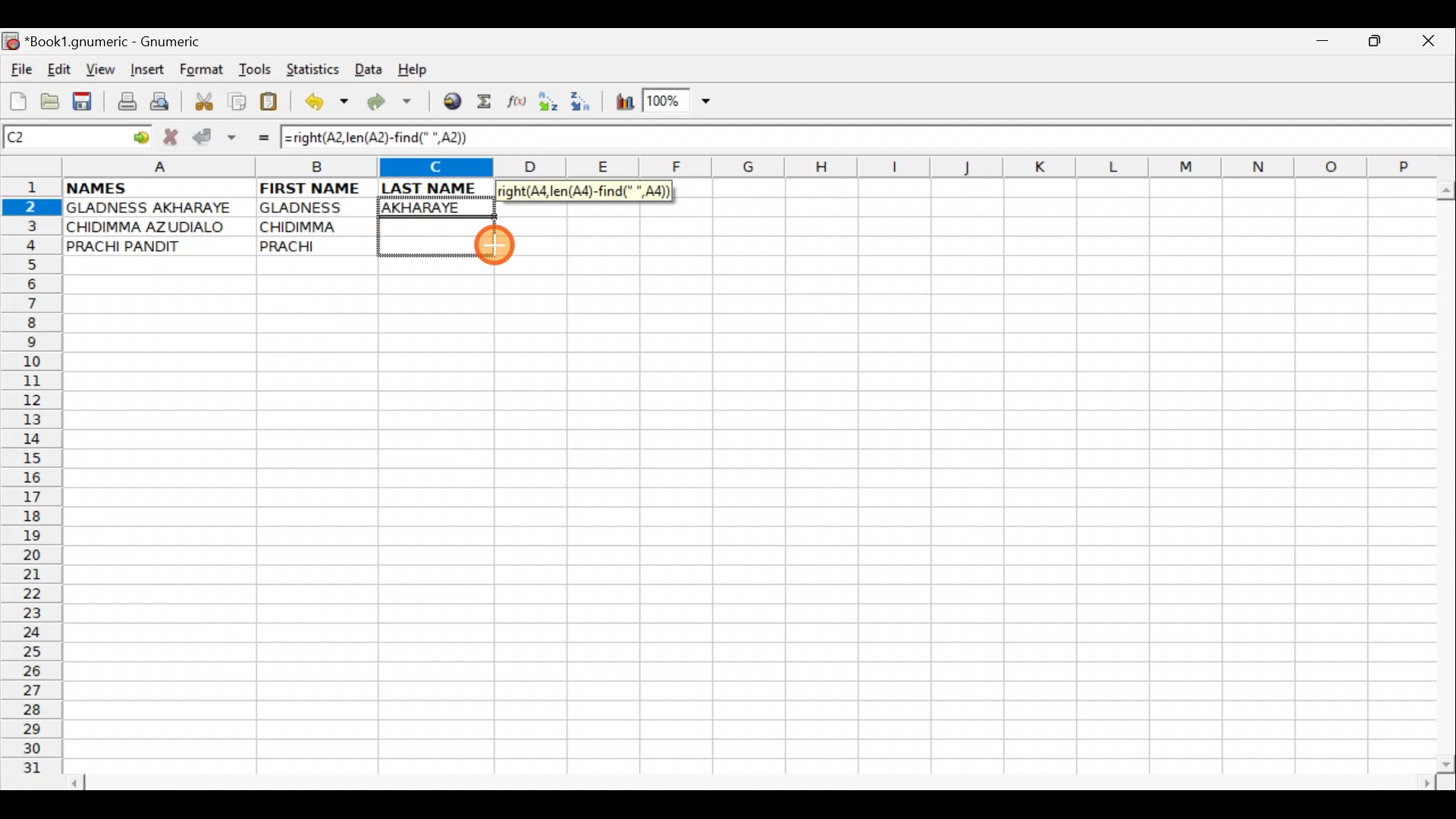 The width and height of the screenshot is (1456, 819). Describe the element at coordinates (53, 99) in the screenshot. I see `Open a file` at that location.